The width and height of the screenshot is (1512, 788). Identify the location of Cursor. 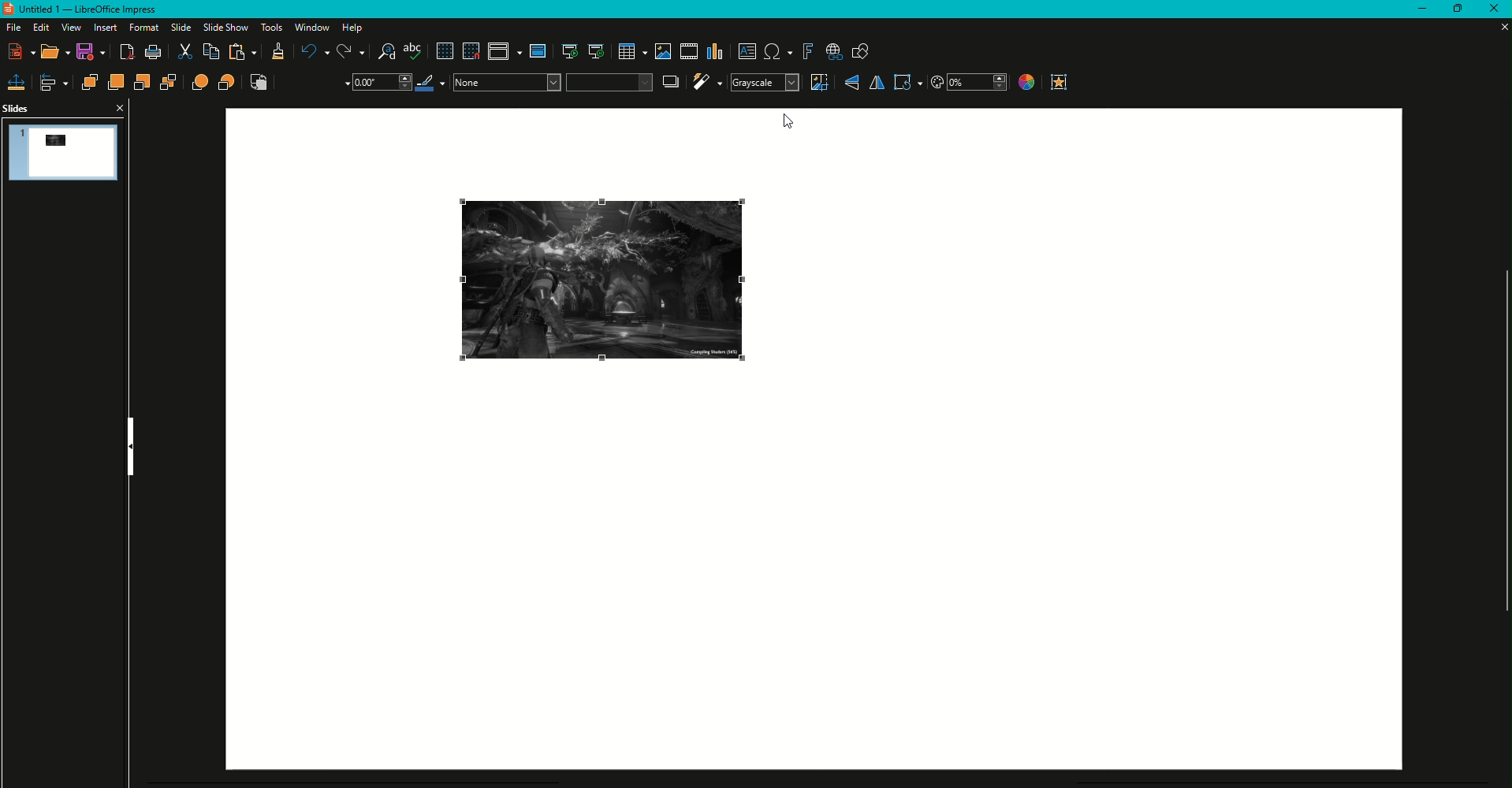
(788, 123).